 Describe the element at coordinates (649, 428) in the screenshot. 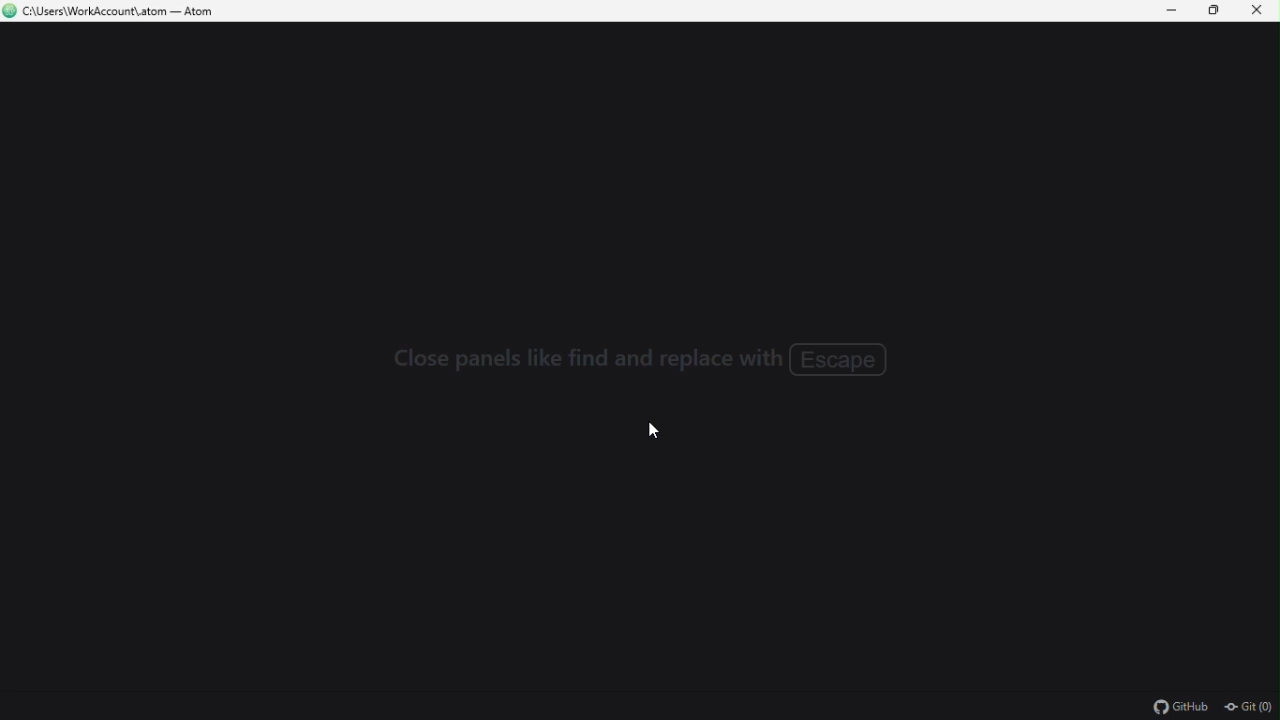

I see `cursor` at that location.